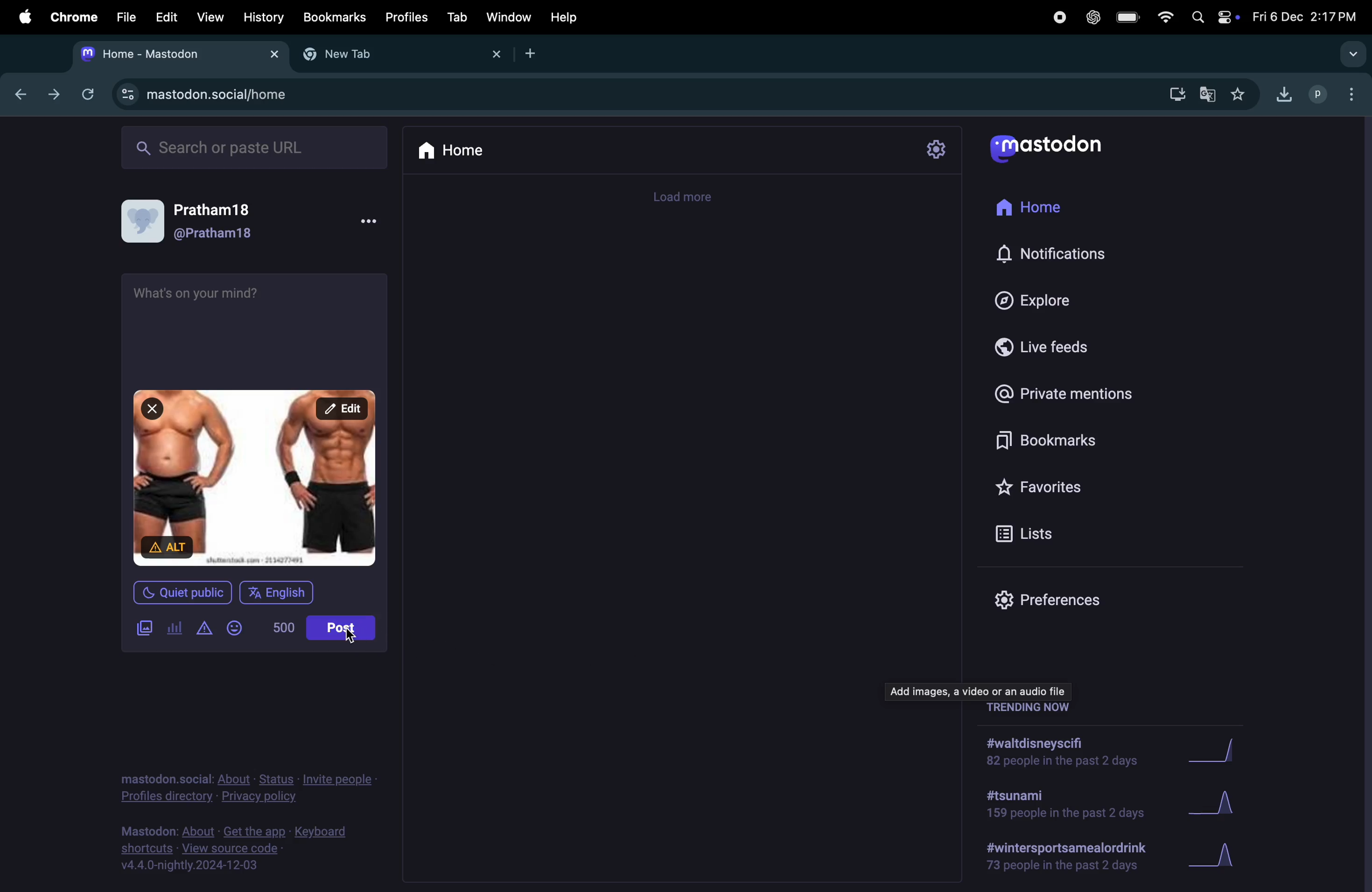  I want to click on home, so click(1045, 212).